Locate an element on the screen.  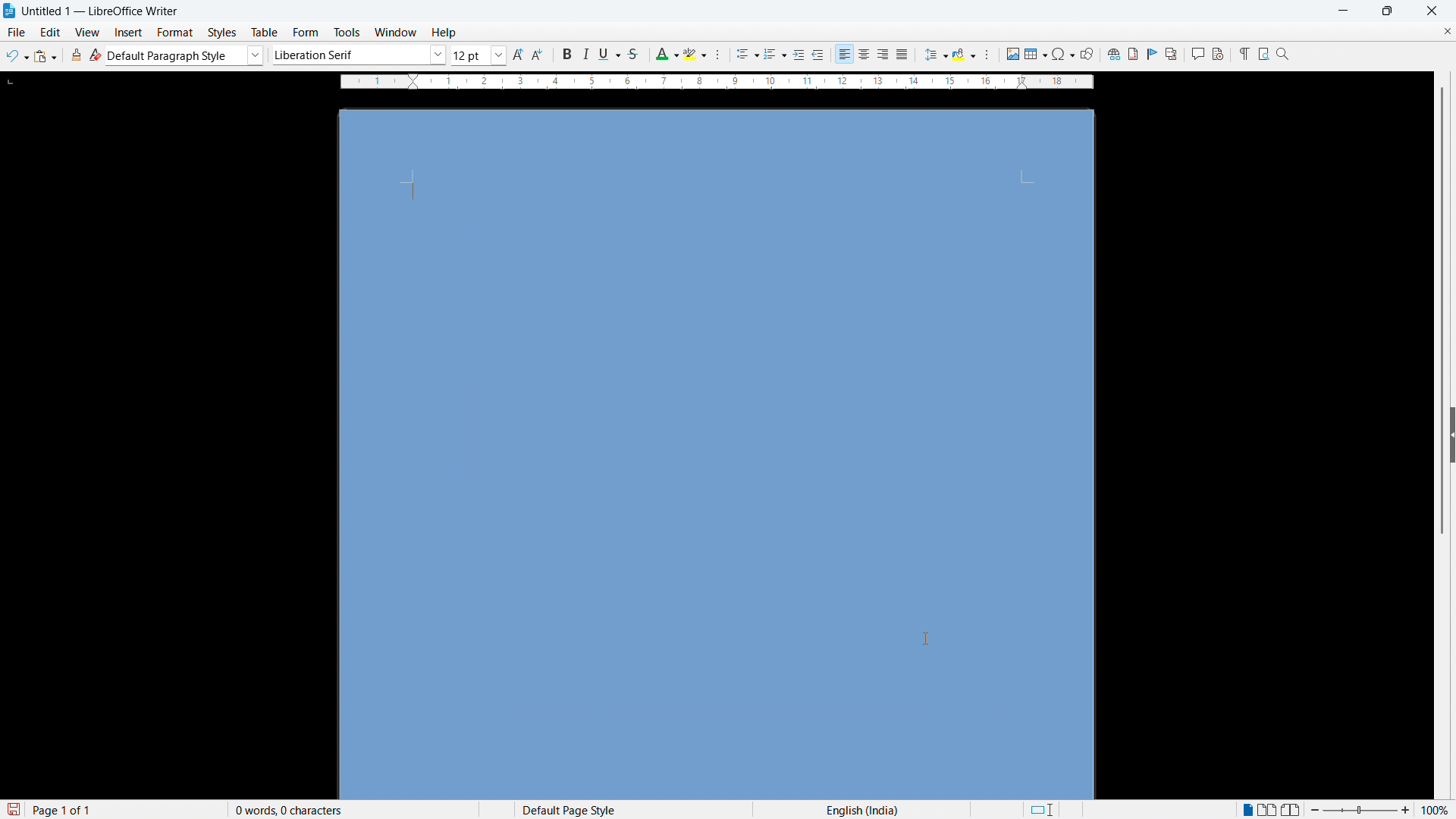
Set line spacing  is located at coordinates (935, 55).